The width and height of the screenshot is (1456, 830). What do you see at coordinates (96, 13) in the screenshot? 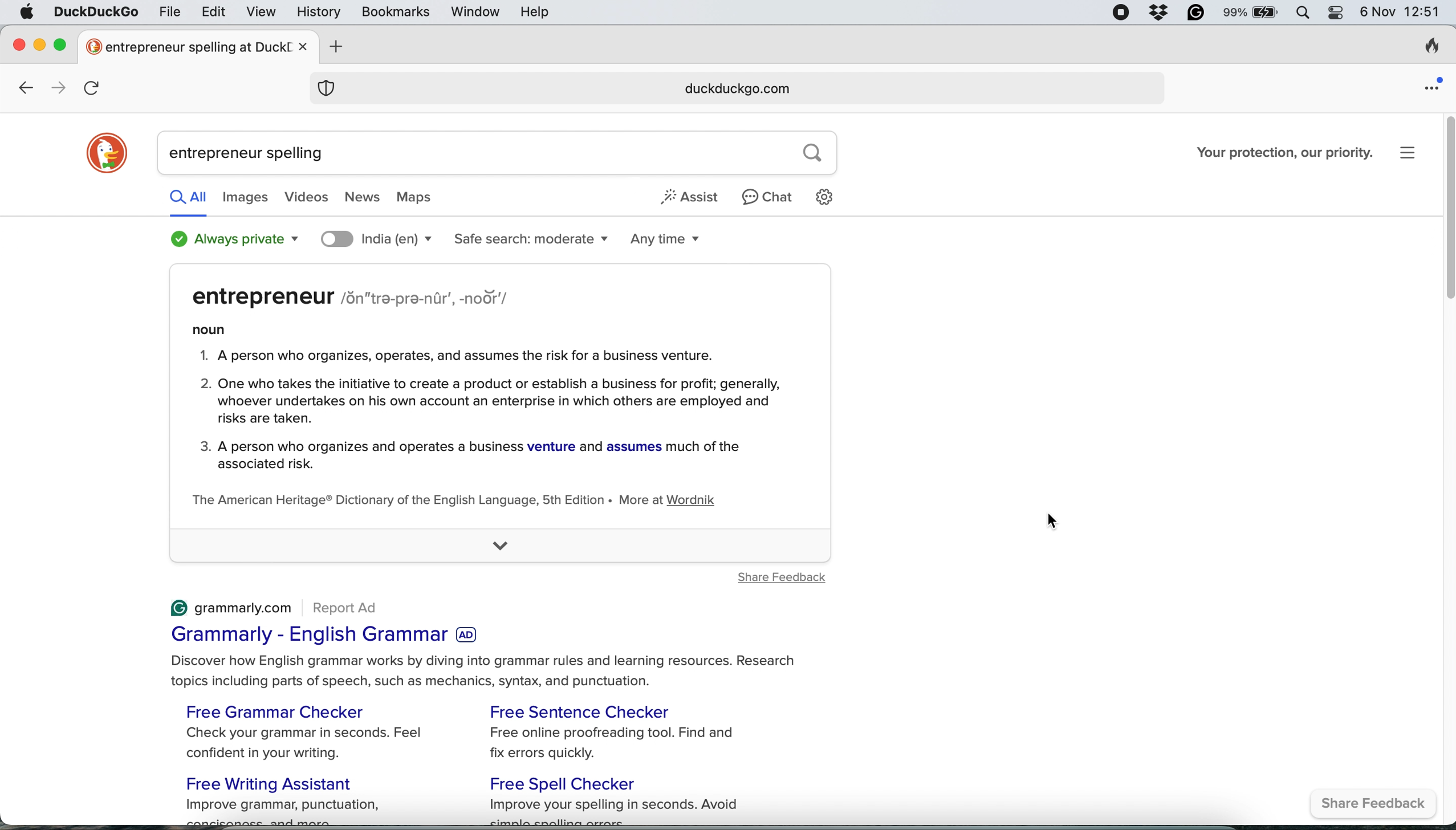
I see `duckduckgo` at bounding box center [96, 13].